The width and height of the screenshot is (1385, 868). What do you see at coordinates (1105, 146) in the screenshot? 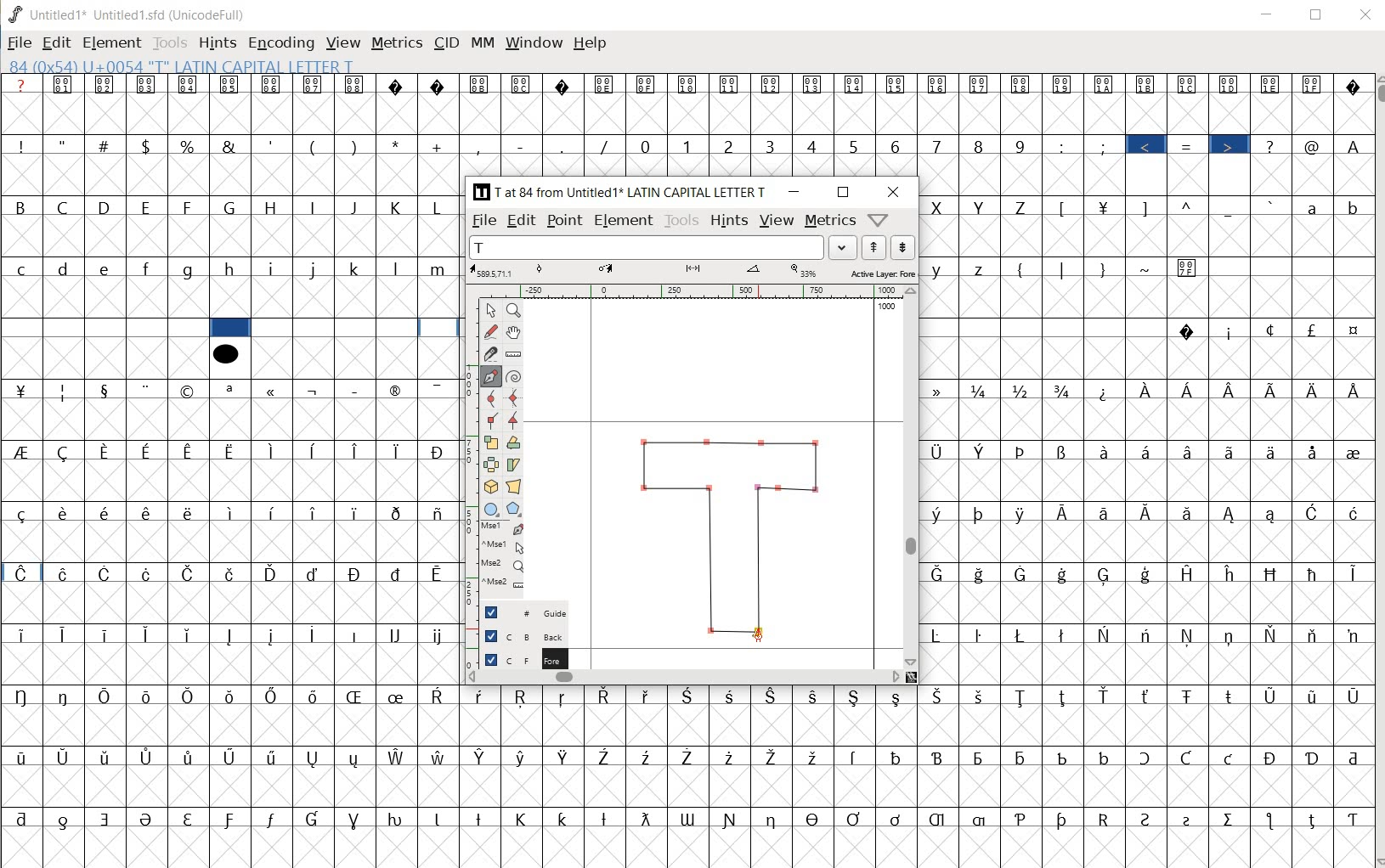
I see `;` at bounding box center [1105, 146].